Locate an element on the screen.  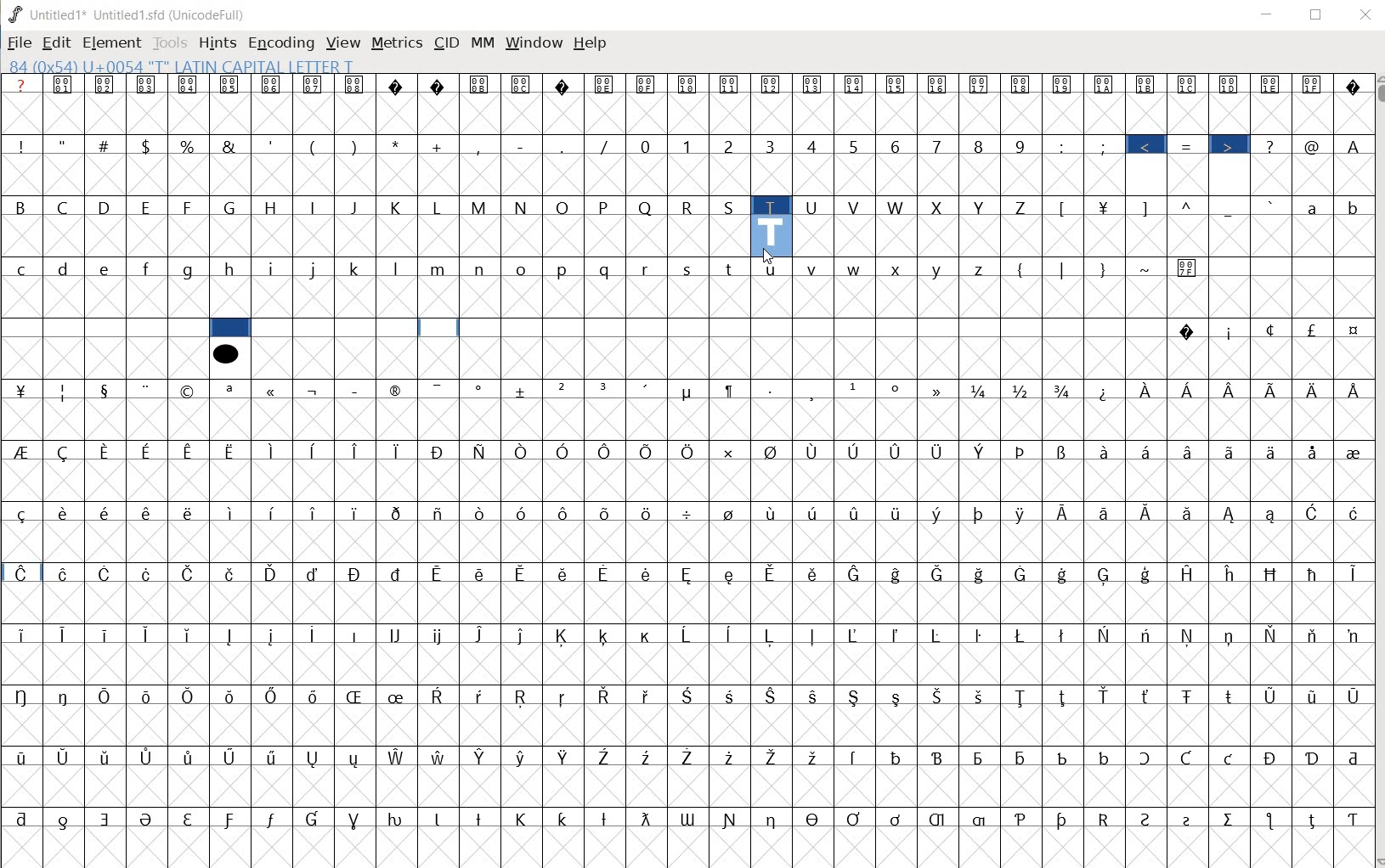
Symbol is located at coordinates (980, 635).